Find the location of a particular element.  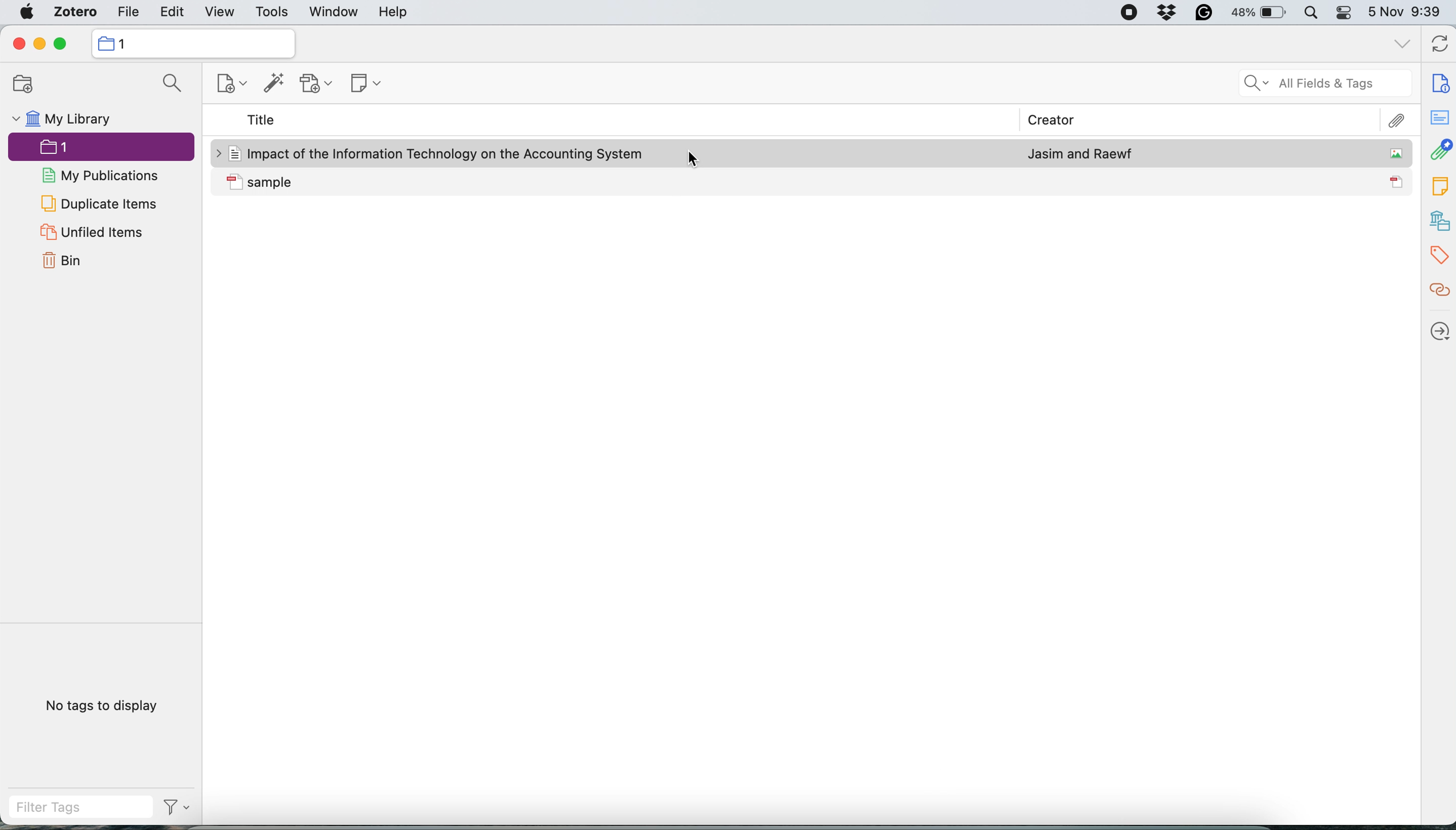

new note is located at coordinates (367, 83).